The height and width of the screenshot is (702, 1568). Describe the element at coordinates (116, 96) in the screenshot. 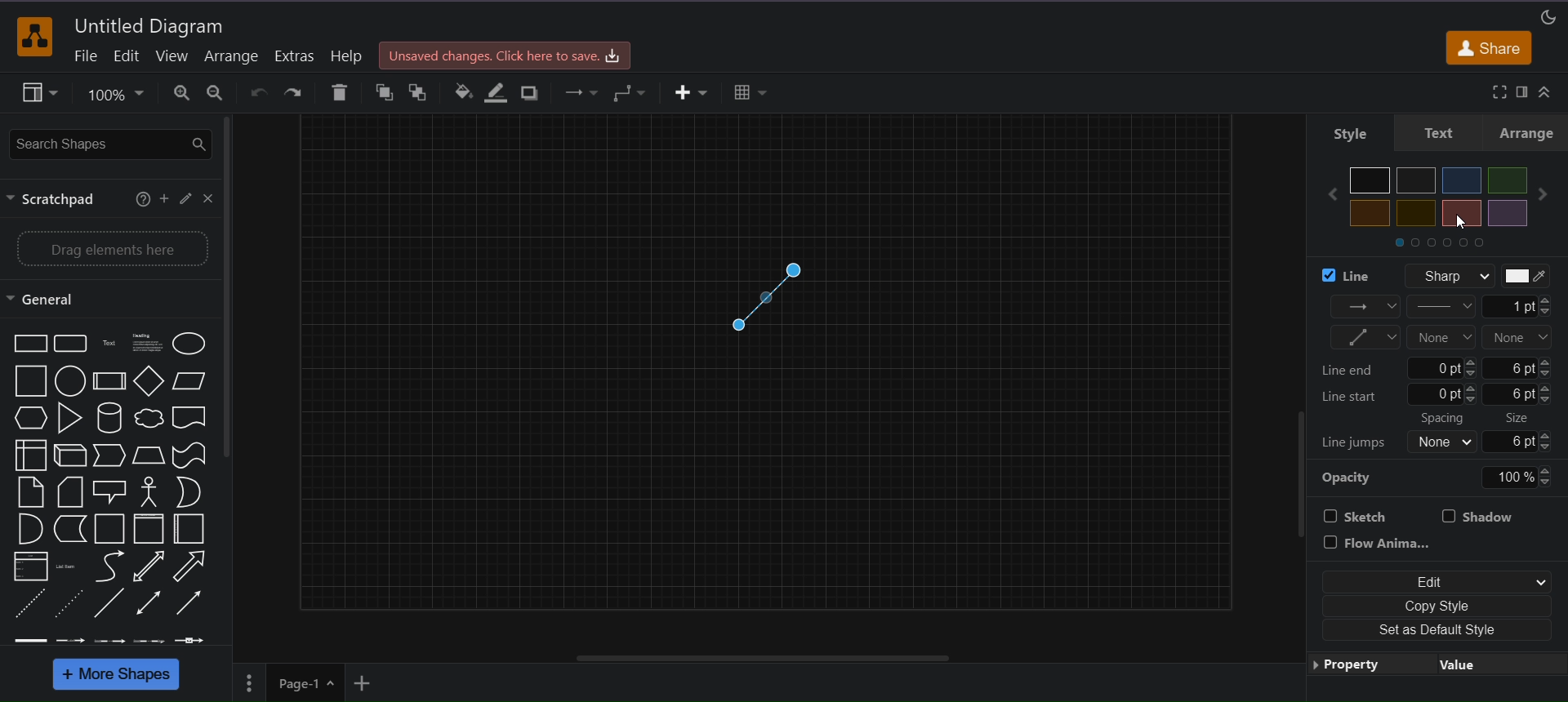

I see `zoom` at that location.